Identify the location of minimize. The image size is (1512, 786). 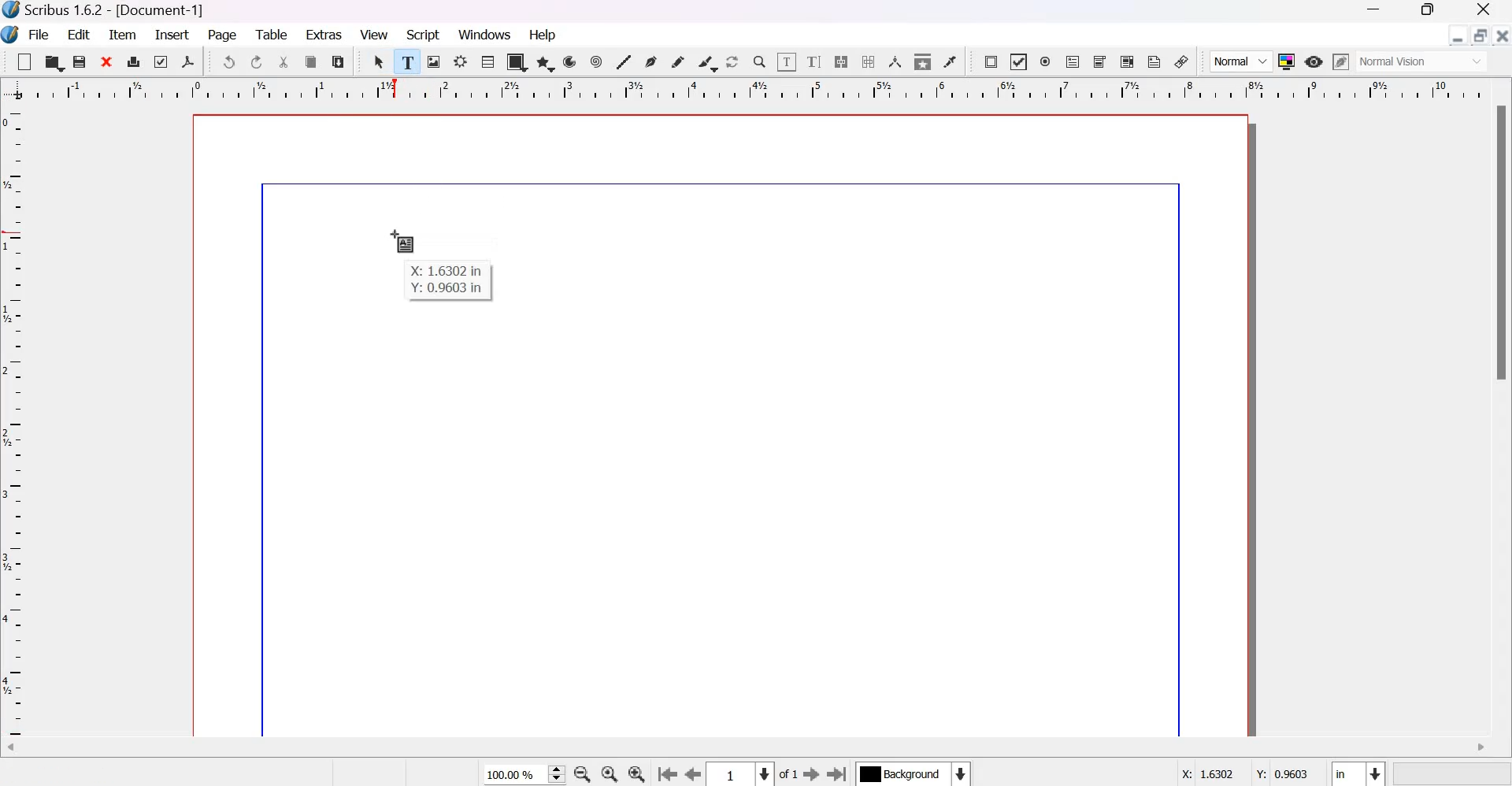
(1458, 35).